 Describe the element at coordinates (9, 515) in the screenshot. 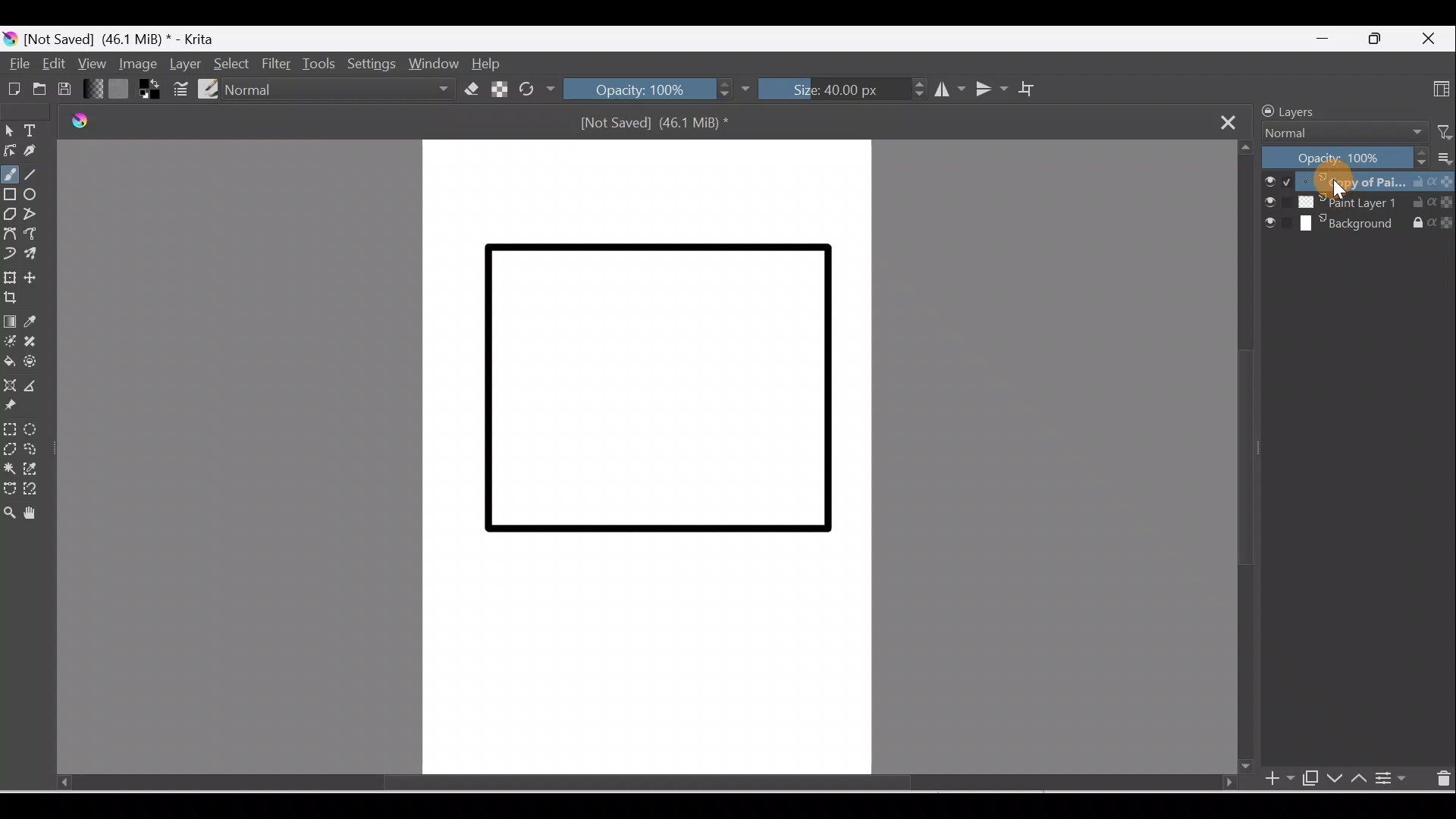

I see `Zoom tool` at that location.